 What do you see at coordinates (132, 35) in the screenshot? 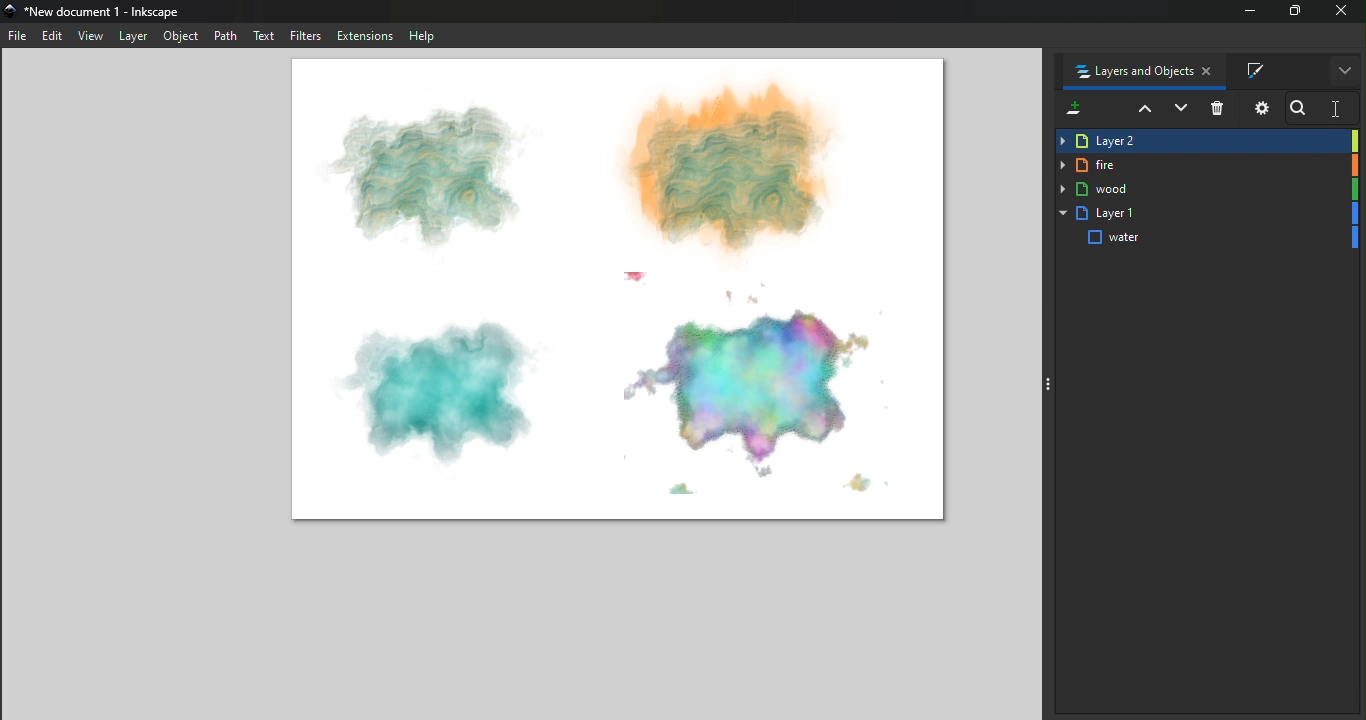
I see `Layer` at bounding box center [132, 35].